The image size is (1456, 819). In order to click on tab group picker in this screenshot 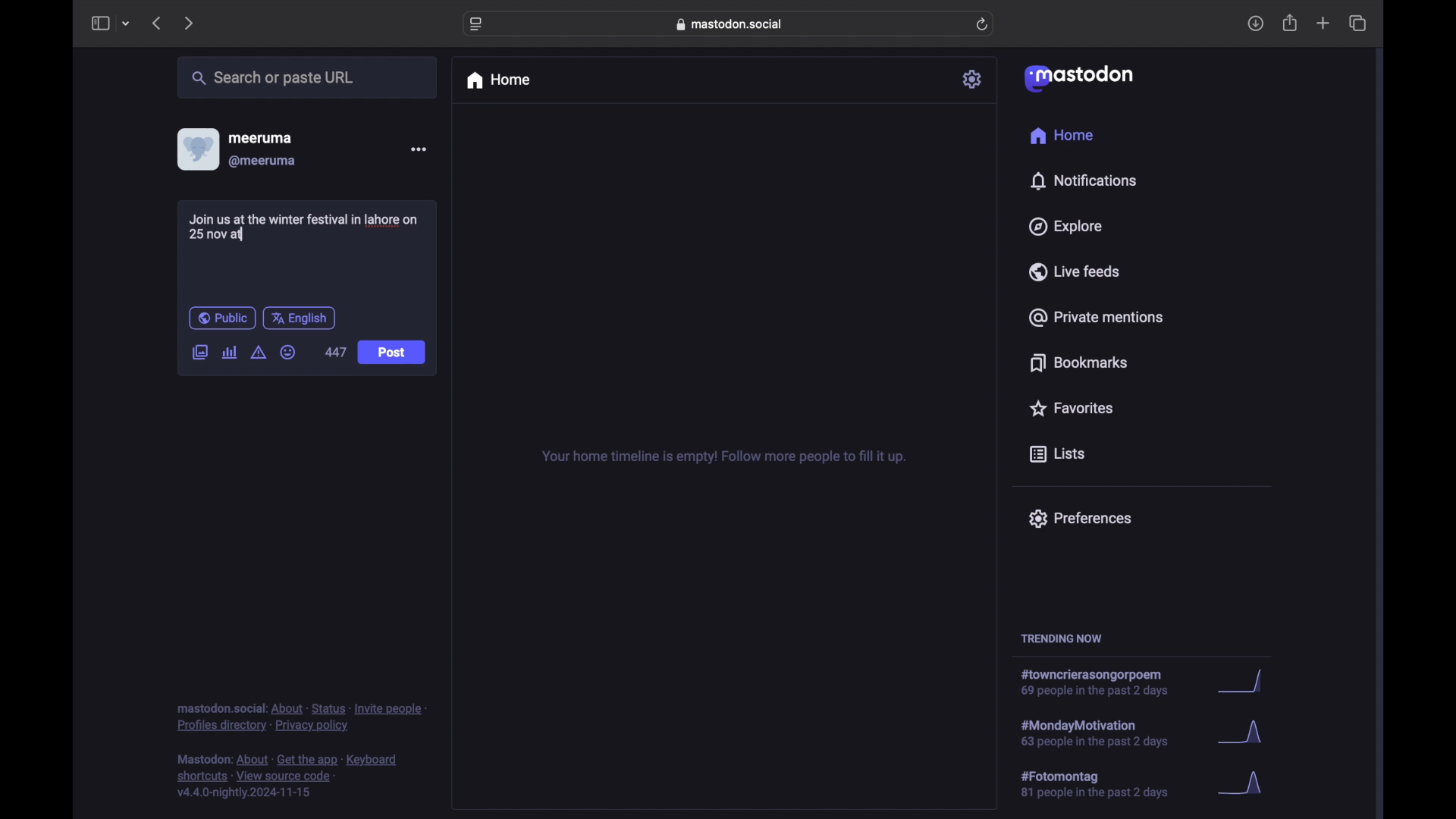, I will do `click(126, 24)`.